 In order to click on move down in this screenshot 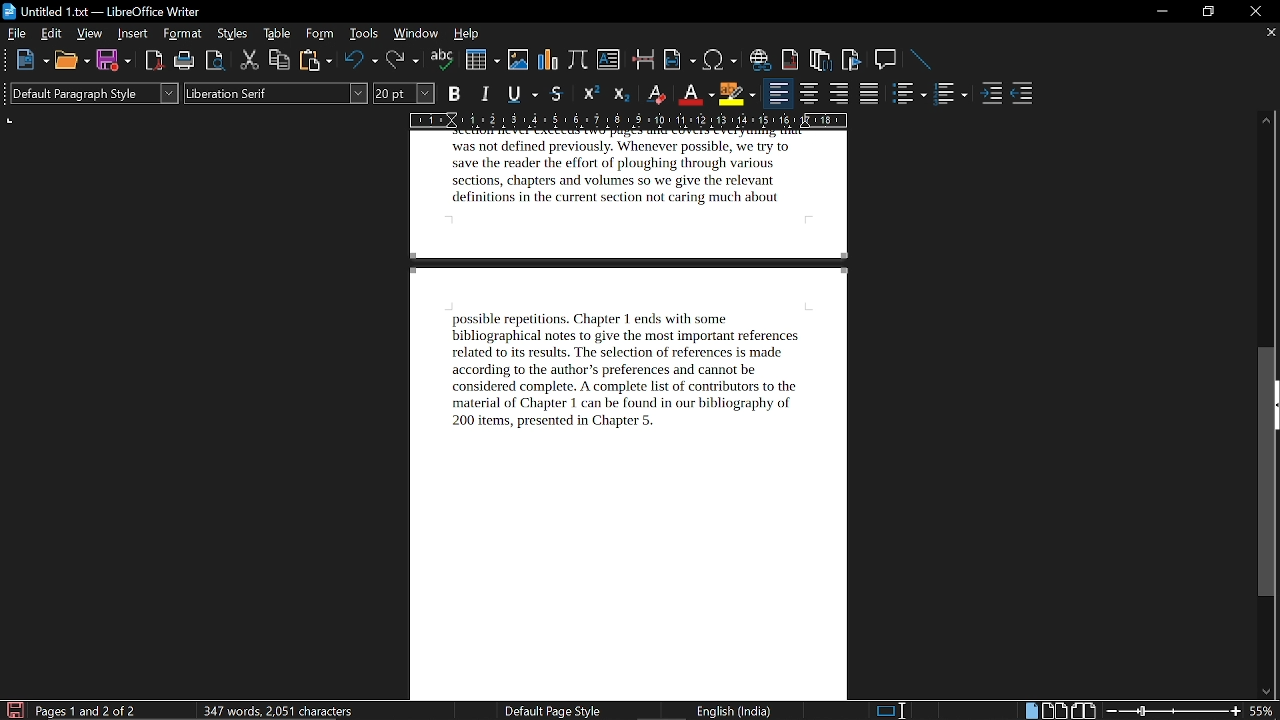, I will do `click(1267, 693)`.